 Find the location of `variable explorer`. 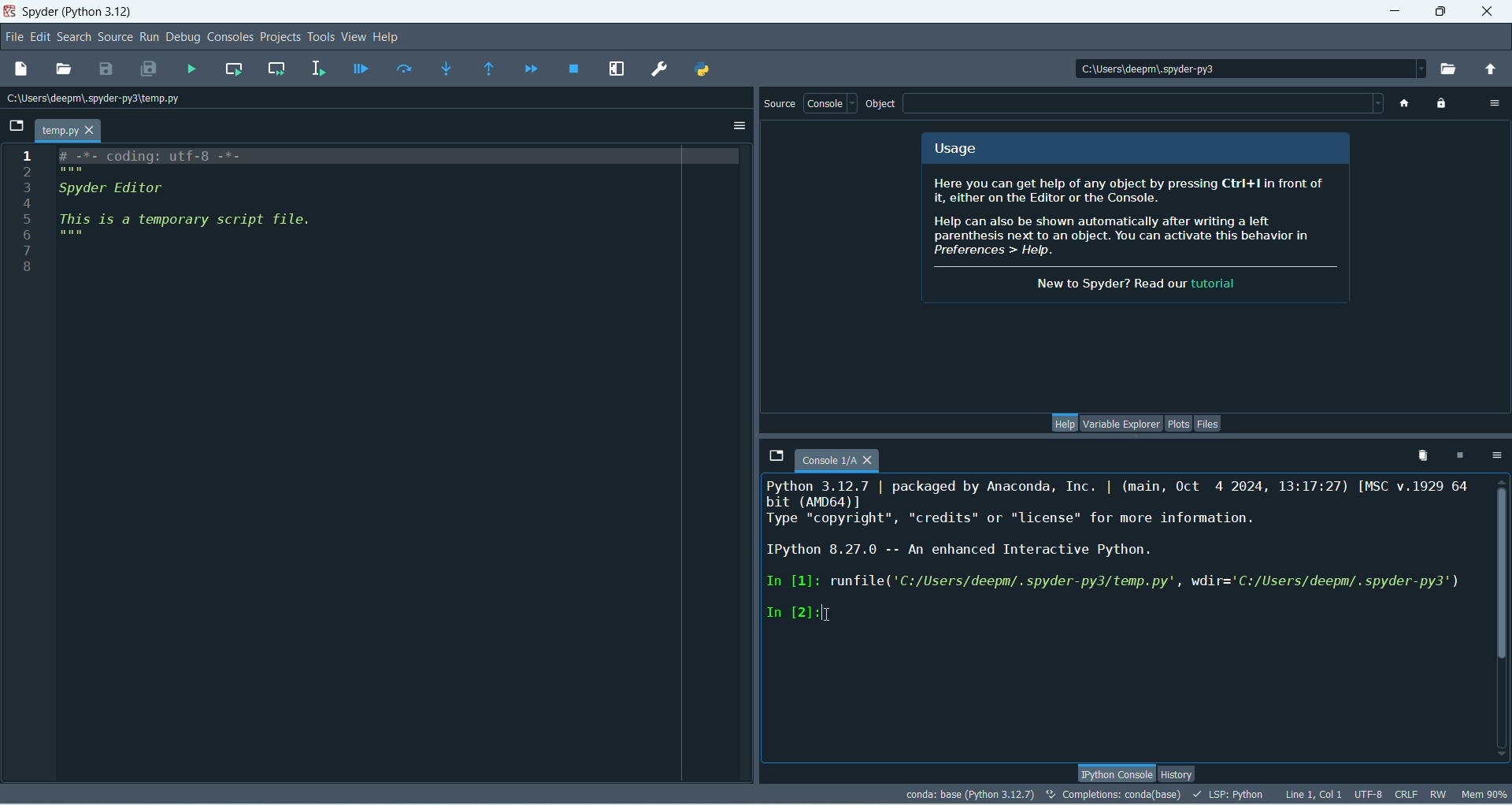

variable explorer is located at coordinates (1120, 424).